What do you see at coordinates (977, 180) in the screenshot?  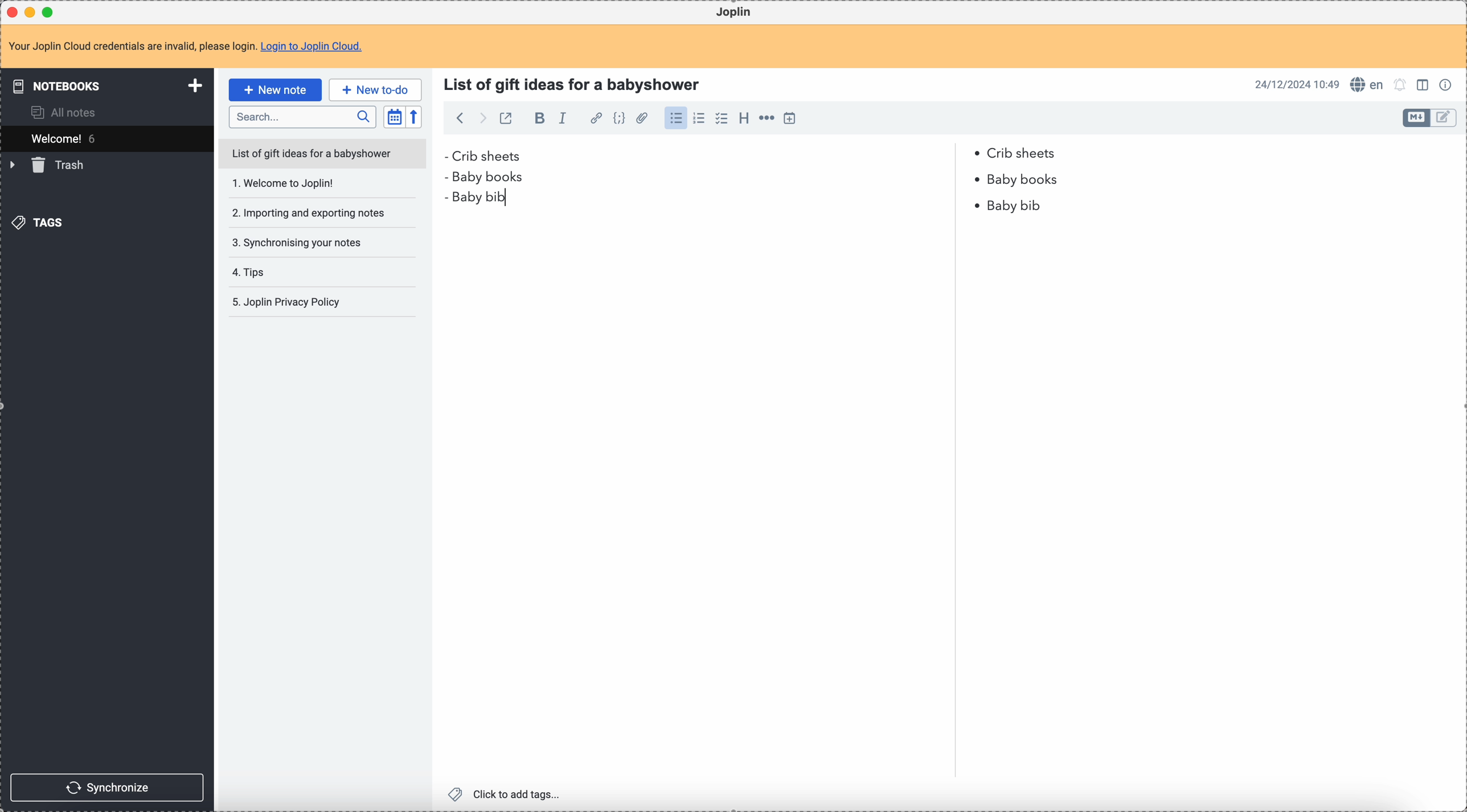 I see `bullet point` at bounding box center [977, 180].